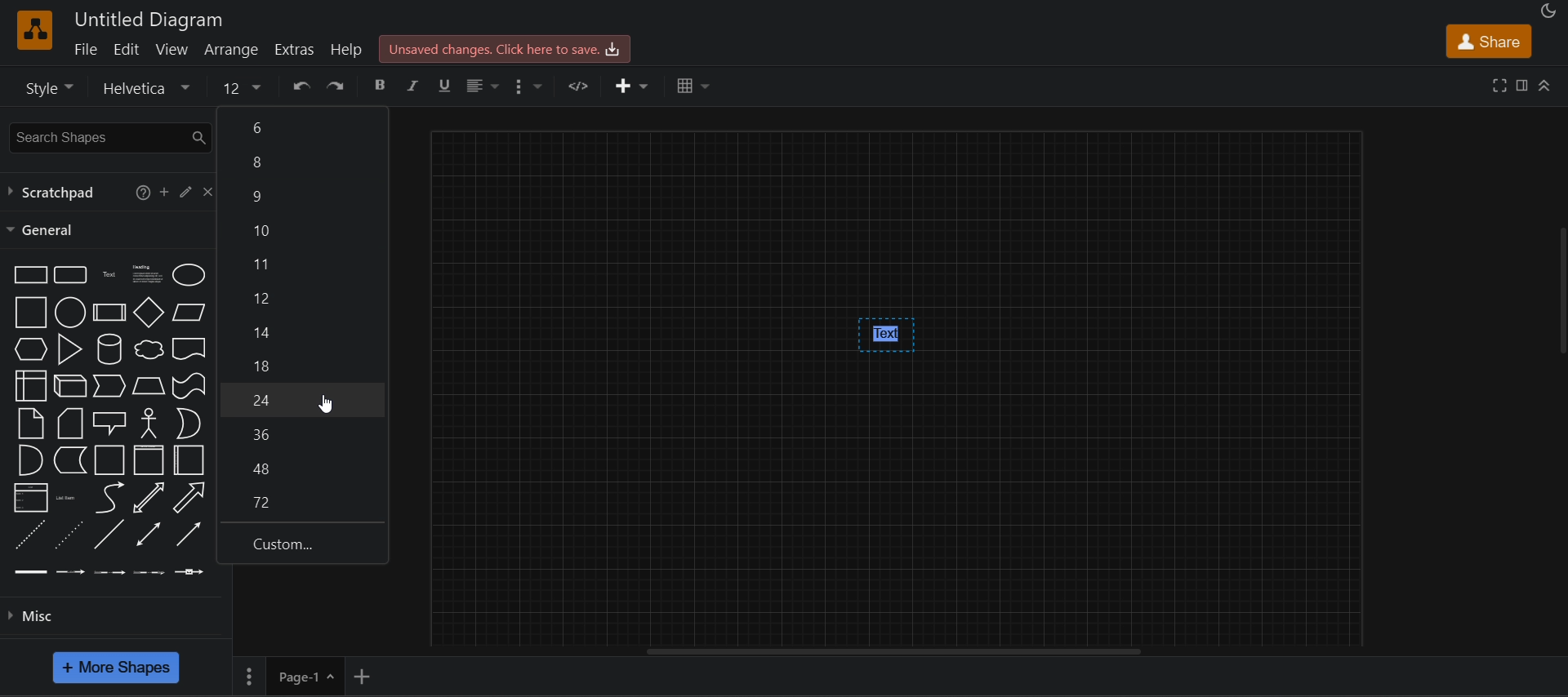  What do you see at coordinates (346, 49) in the screenshot?
I see `help` at bounding box center [346, 49].